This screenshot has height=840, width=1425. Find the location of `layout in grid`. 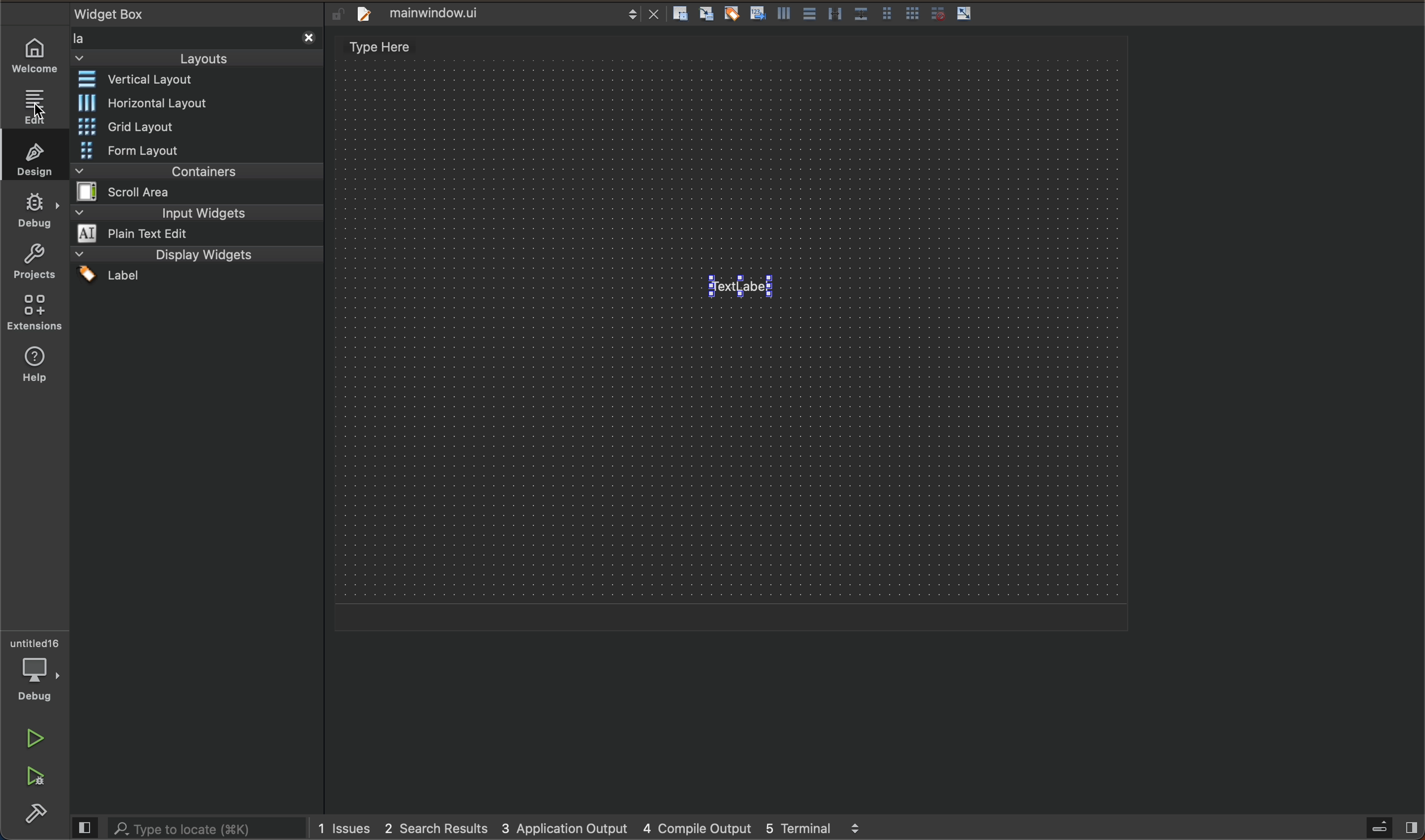

layout in grid is located at coordinates (914, 15).